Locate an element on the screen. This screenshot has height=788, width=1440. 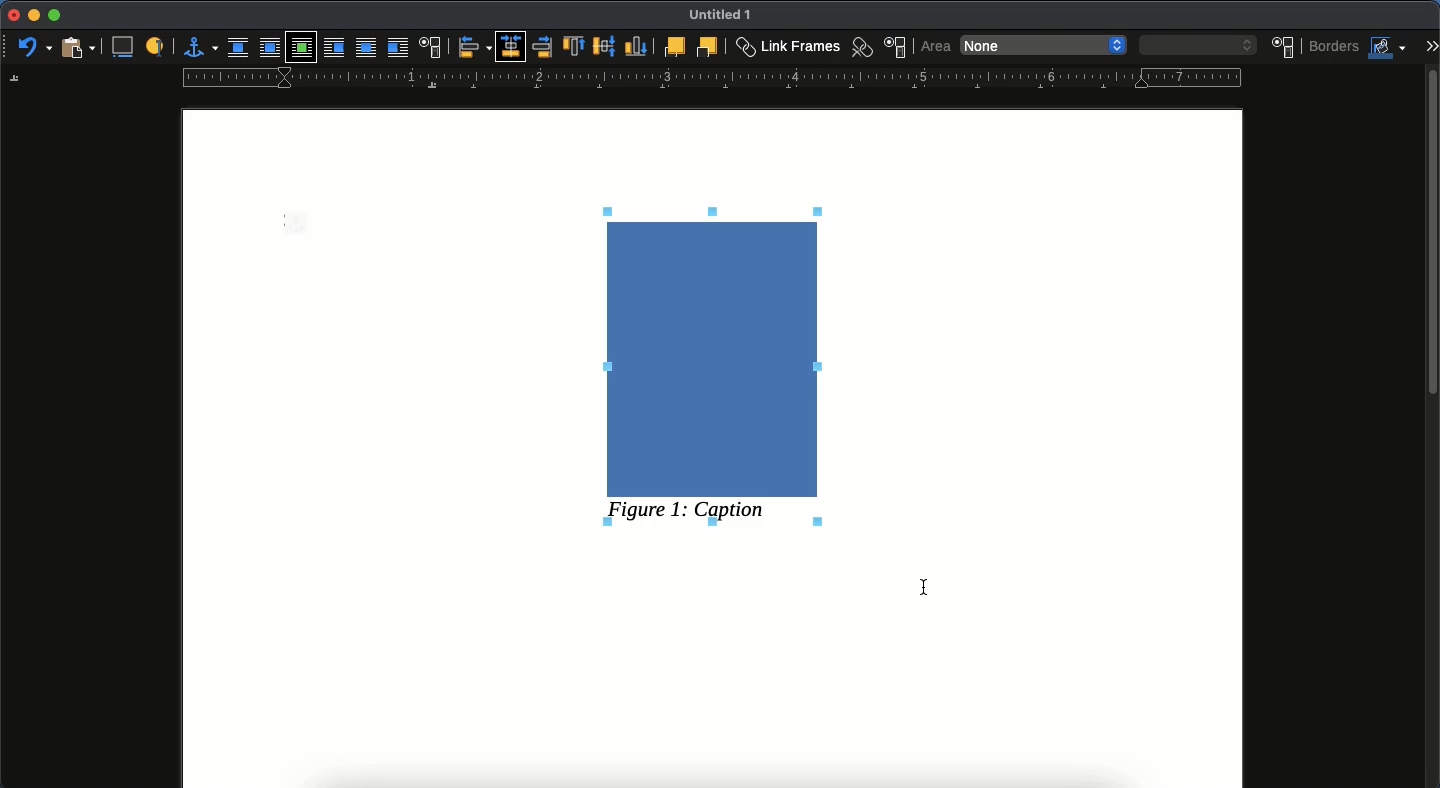
label to identify an object  is located at coordinates (157, 45).